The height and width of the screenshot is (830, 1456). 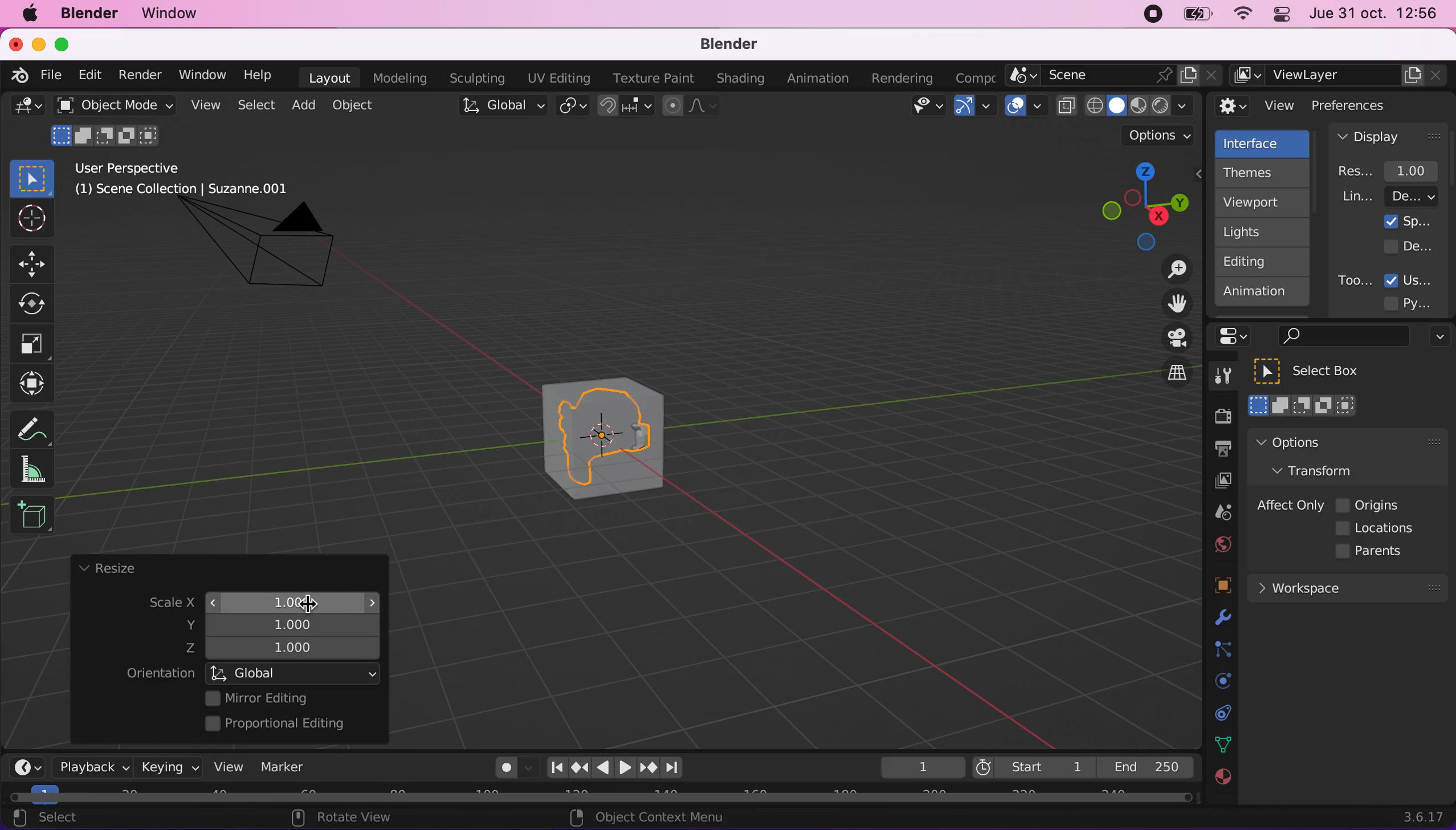 What do you see at coordinates (1171, 269) in the screenshot?
I see `zoom in/out the view` at bounding box center [1171, 269].